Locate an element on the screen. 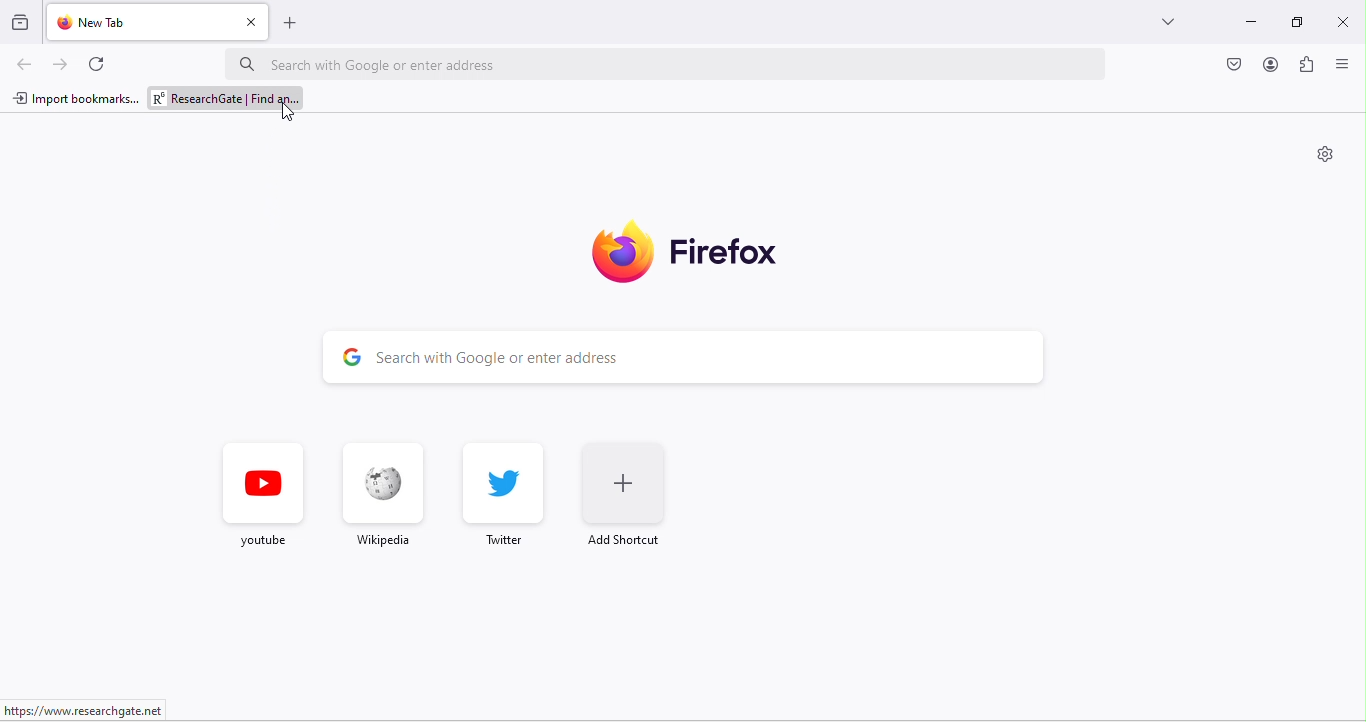 The width and height of the screenshot is (1366, 722). refresh is located at coordinates (100, 63).